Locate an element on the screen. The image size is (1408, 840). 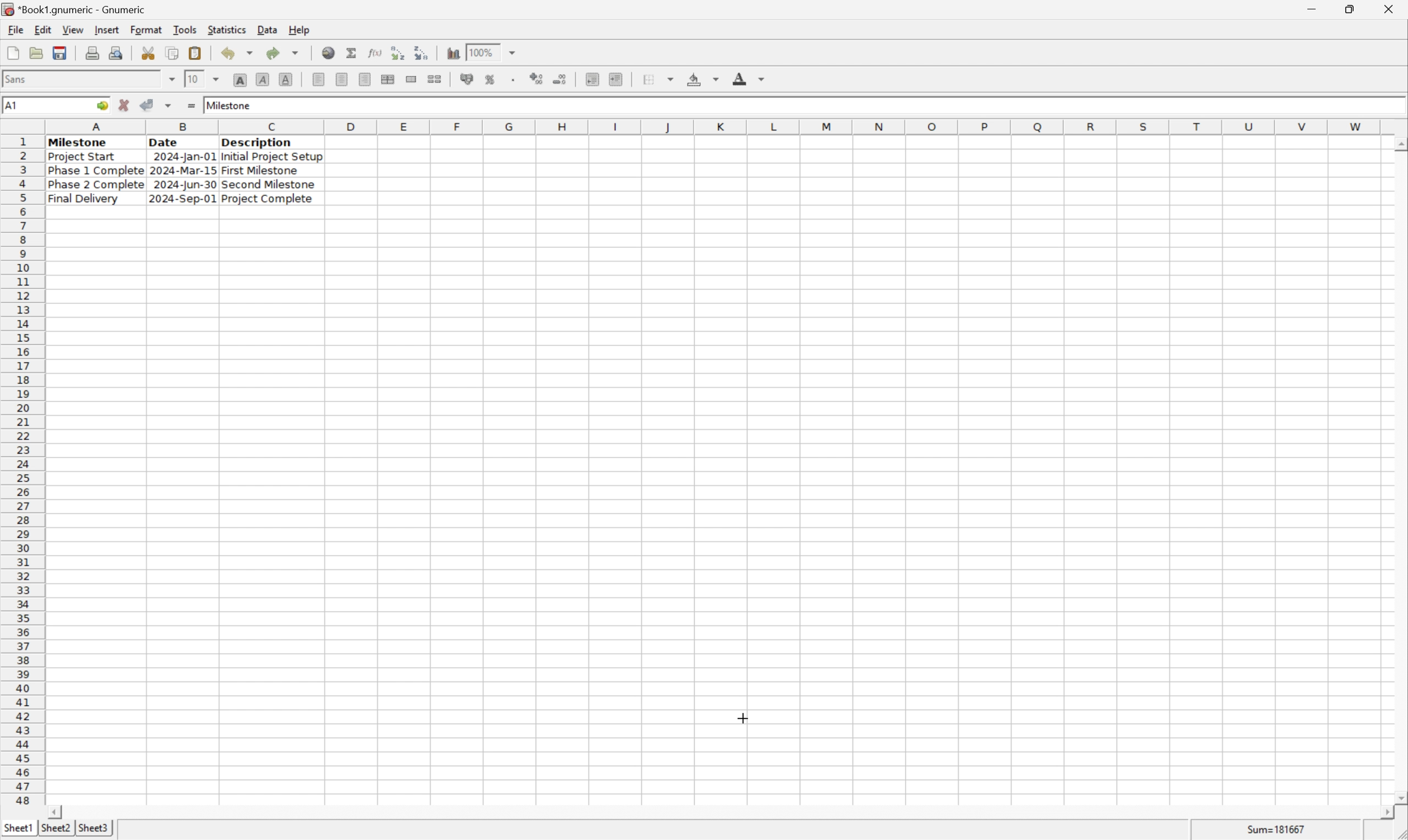
Application name is located at coordinates (75, 10).